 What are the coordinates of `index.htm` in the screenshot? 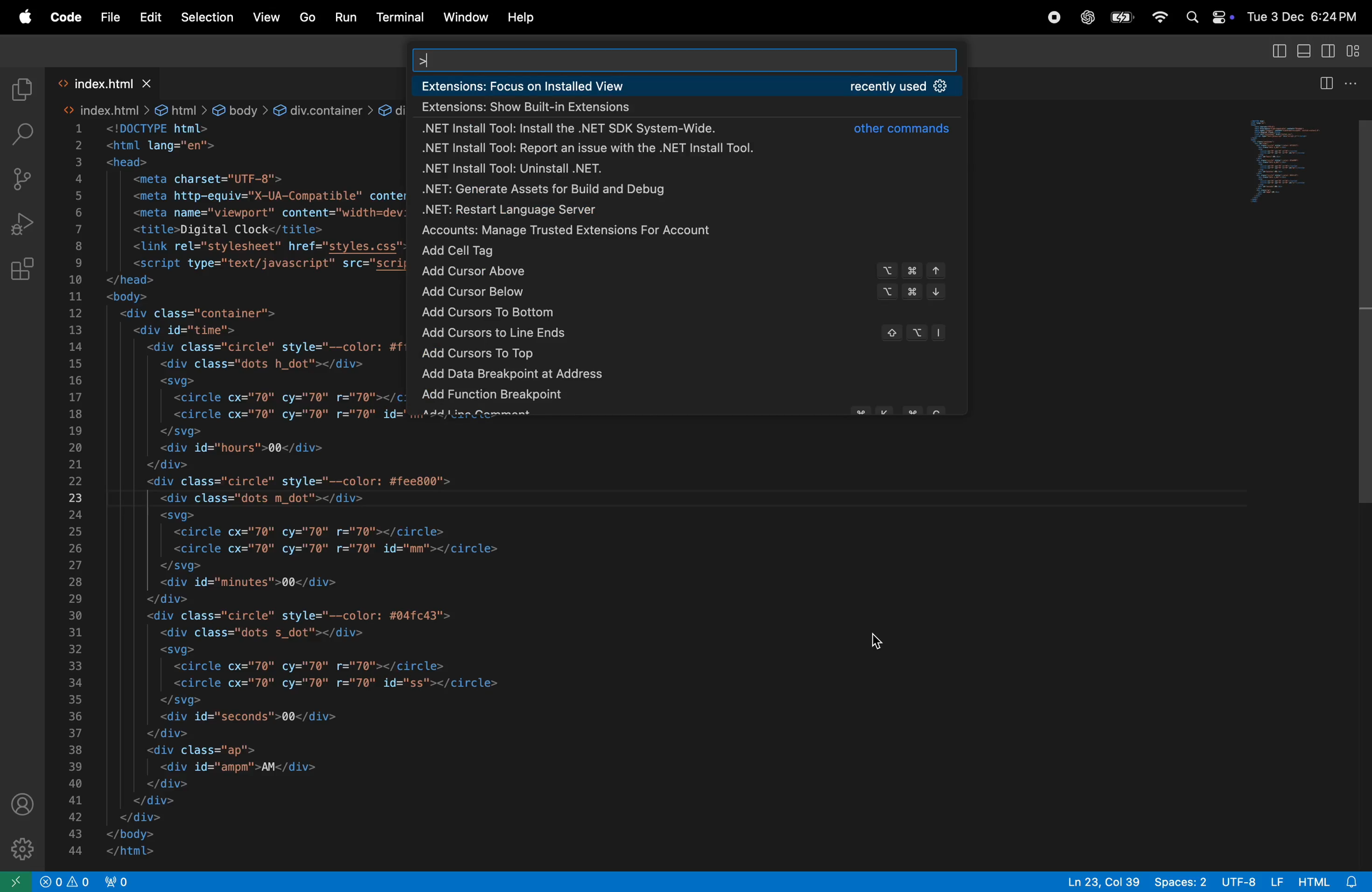 It's located at (103, 111).